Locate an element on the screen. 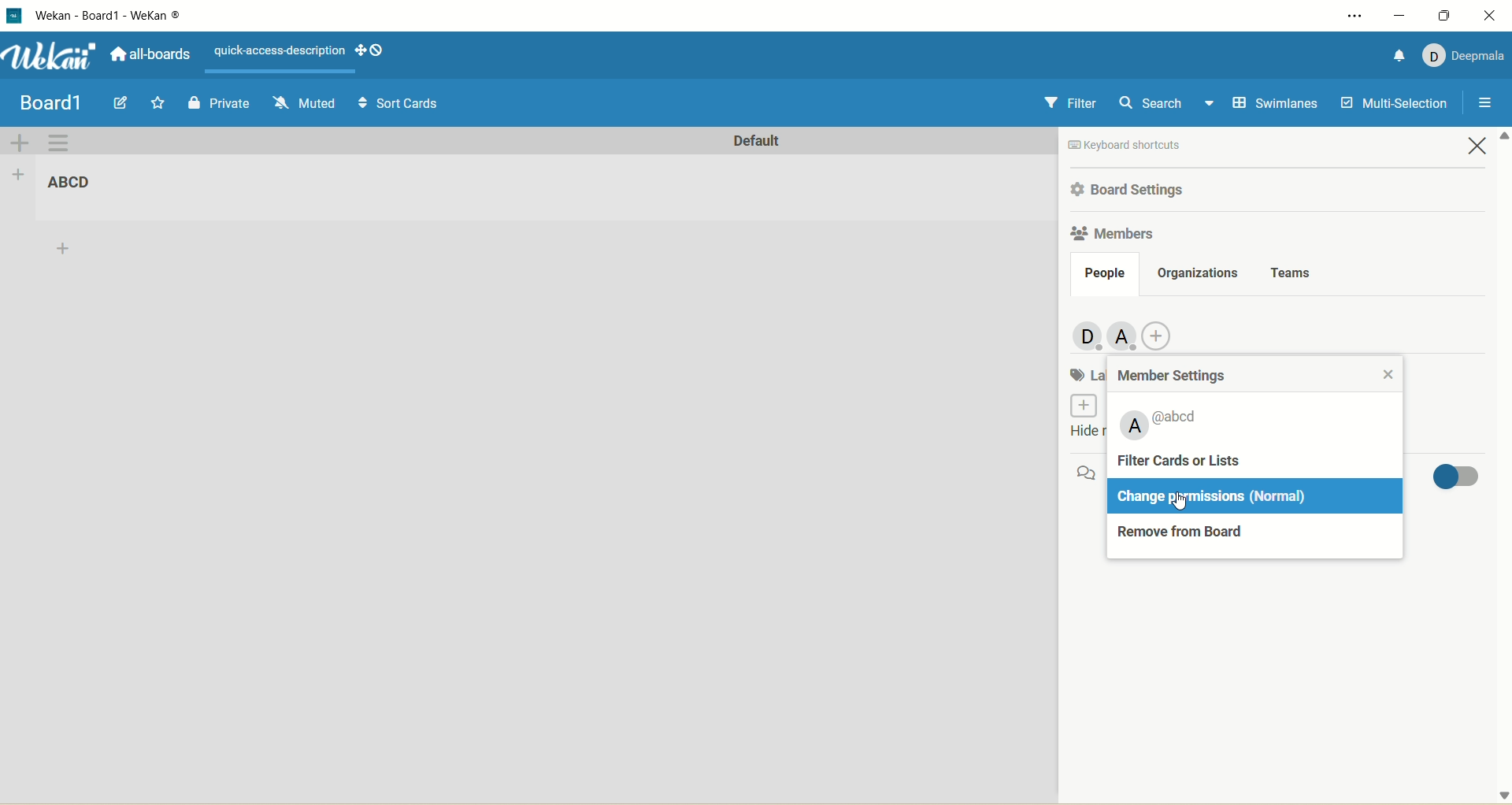 This screenshot has width=1512, height=805. add is located at coordinates (65, 251).